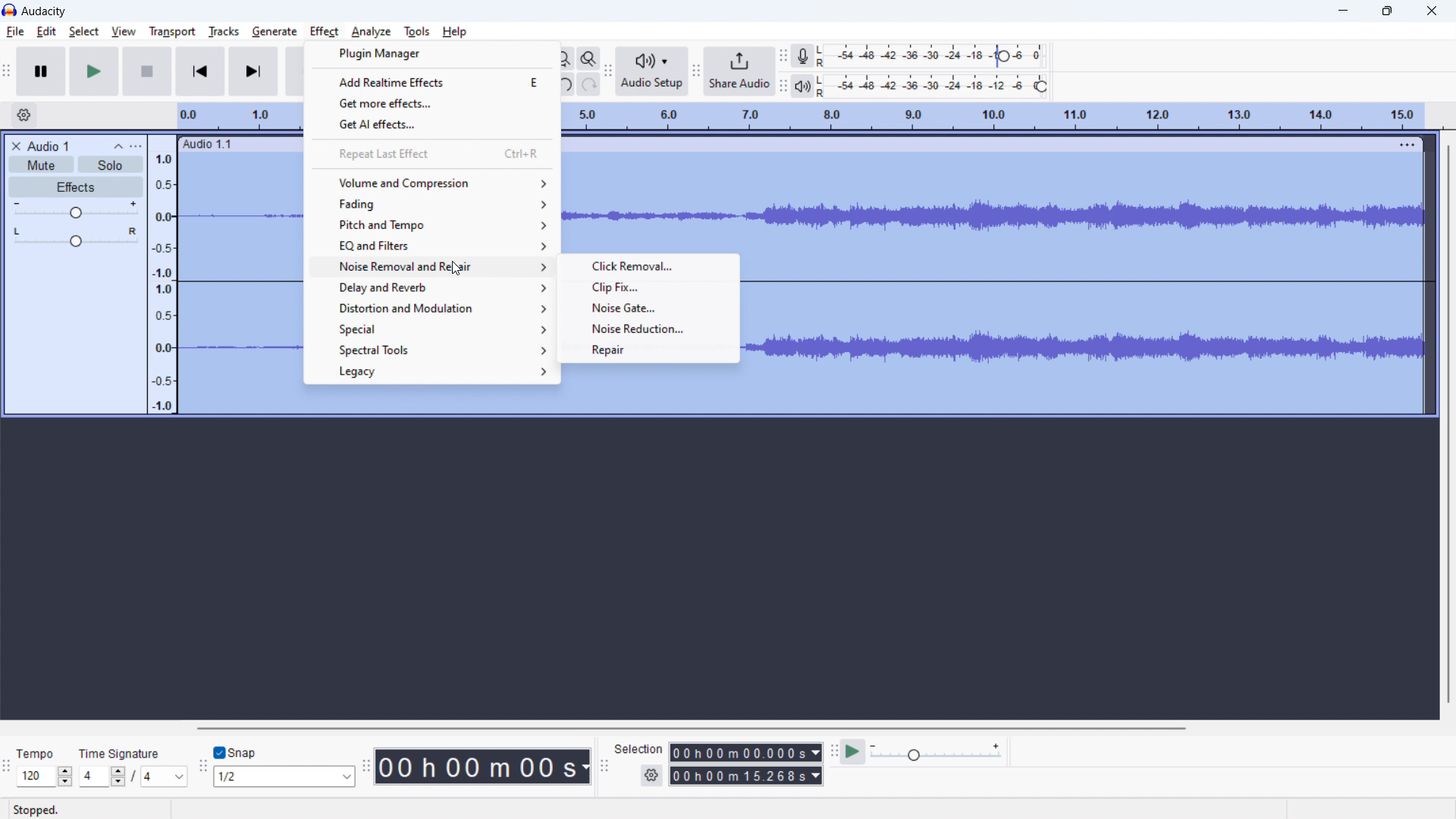  What do you see at coordinates (172, 33) in the screenshot?
I see `transport` at bounding box center [172, 33].